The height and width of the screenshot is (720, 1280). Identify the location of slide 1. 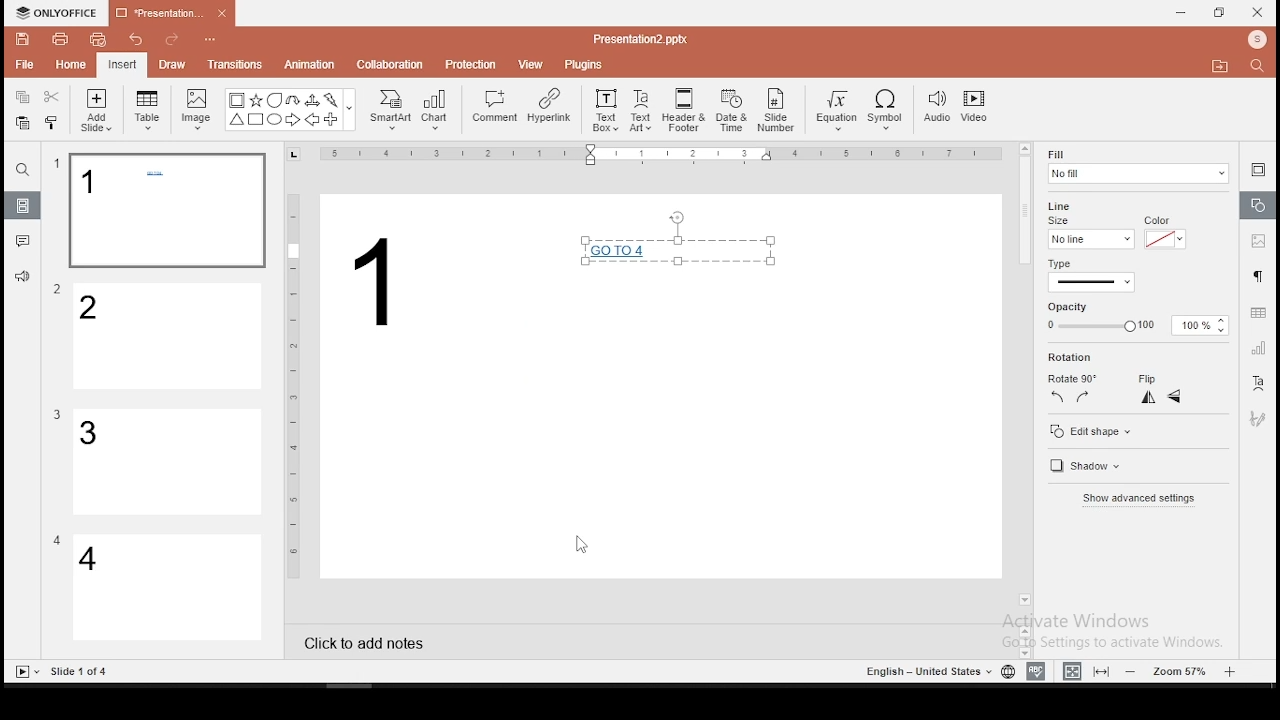
(166, 211).